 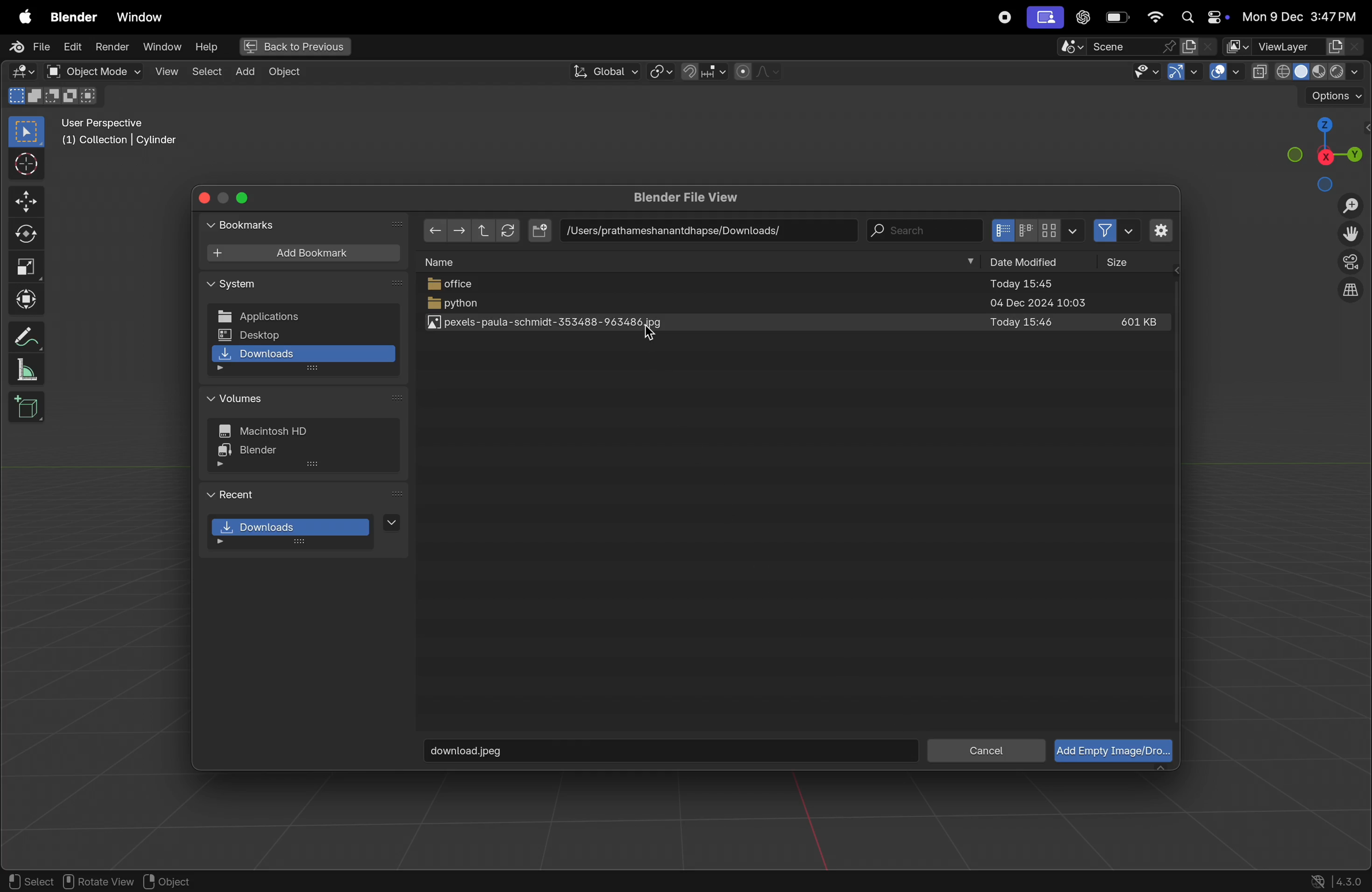 What do you see at coordinates (123, 134) in the screenshot?
I see `user perspective` at bounding box center [123, 134].